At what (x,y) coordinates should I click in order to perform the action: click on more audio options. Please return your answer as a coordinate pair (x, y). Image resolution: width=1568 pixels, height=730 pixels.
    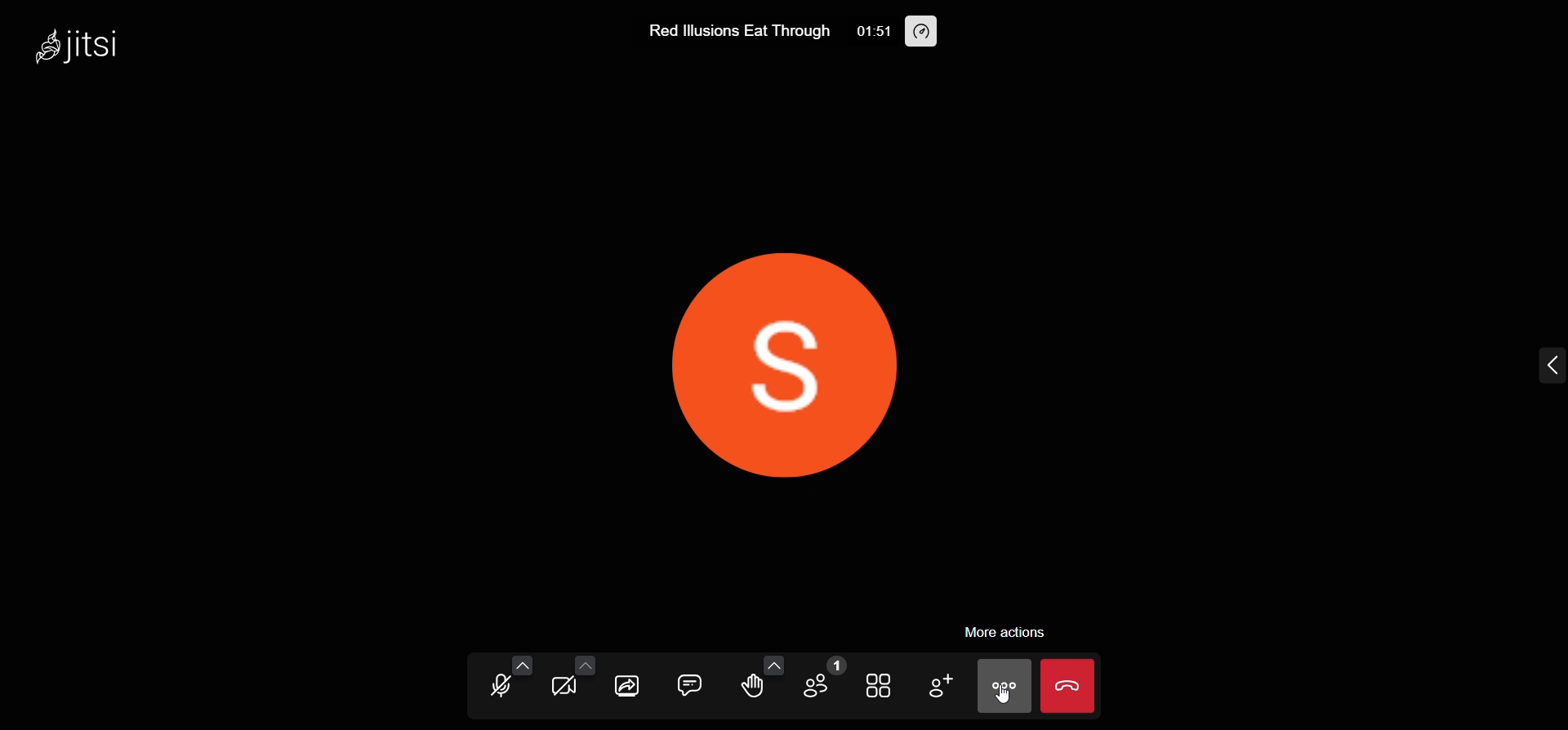
    Looking at the image, I should click on (523, 665).